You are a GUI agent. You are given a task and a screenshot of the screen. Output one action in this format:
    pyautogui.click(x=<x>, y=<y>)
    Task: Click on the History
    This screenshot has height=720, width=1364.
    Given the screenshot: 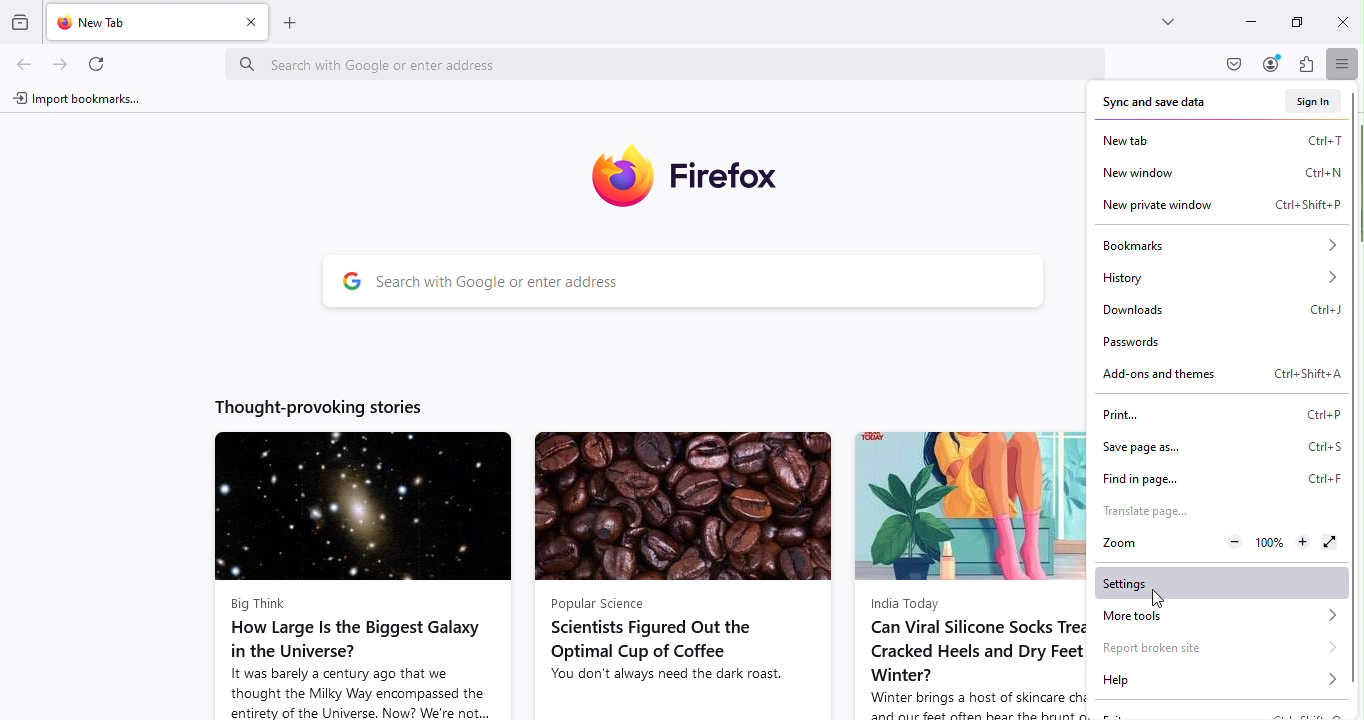 What is the action you would take?
    pyautogui.click(x=1217, y=277)
    